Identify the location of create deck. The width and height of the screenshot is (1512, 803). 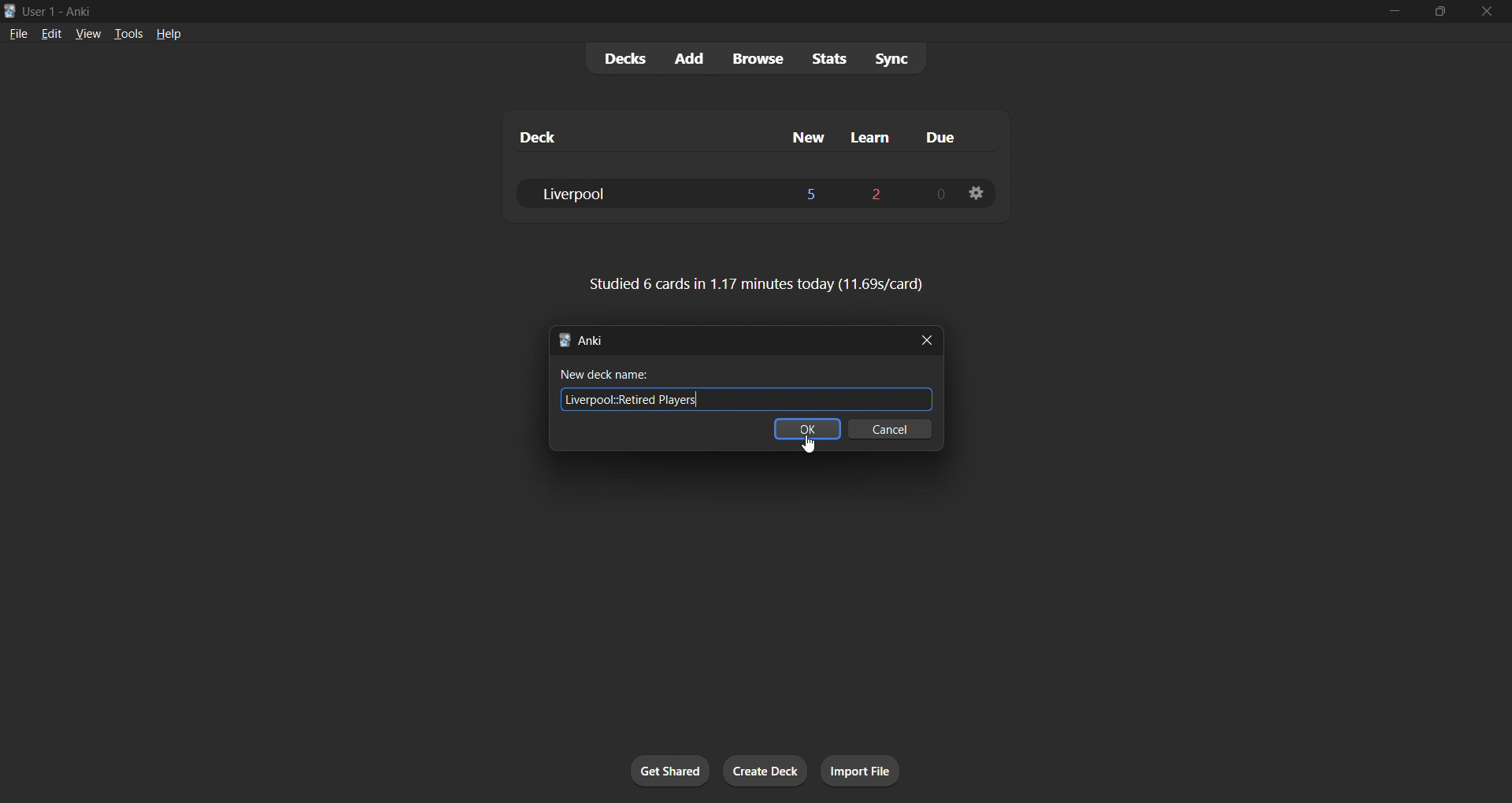
(765, 768).